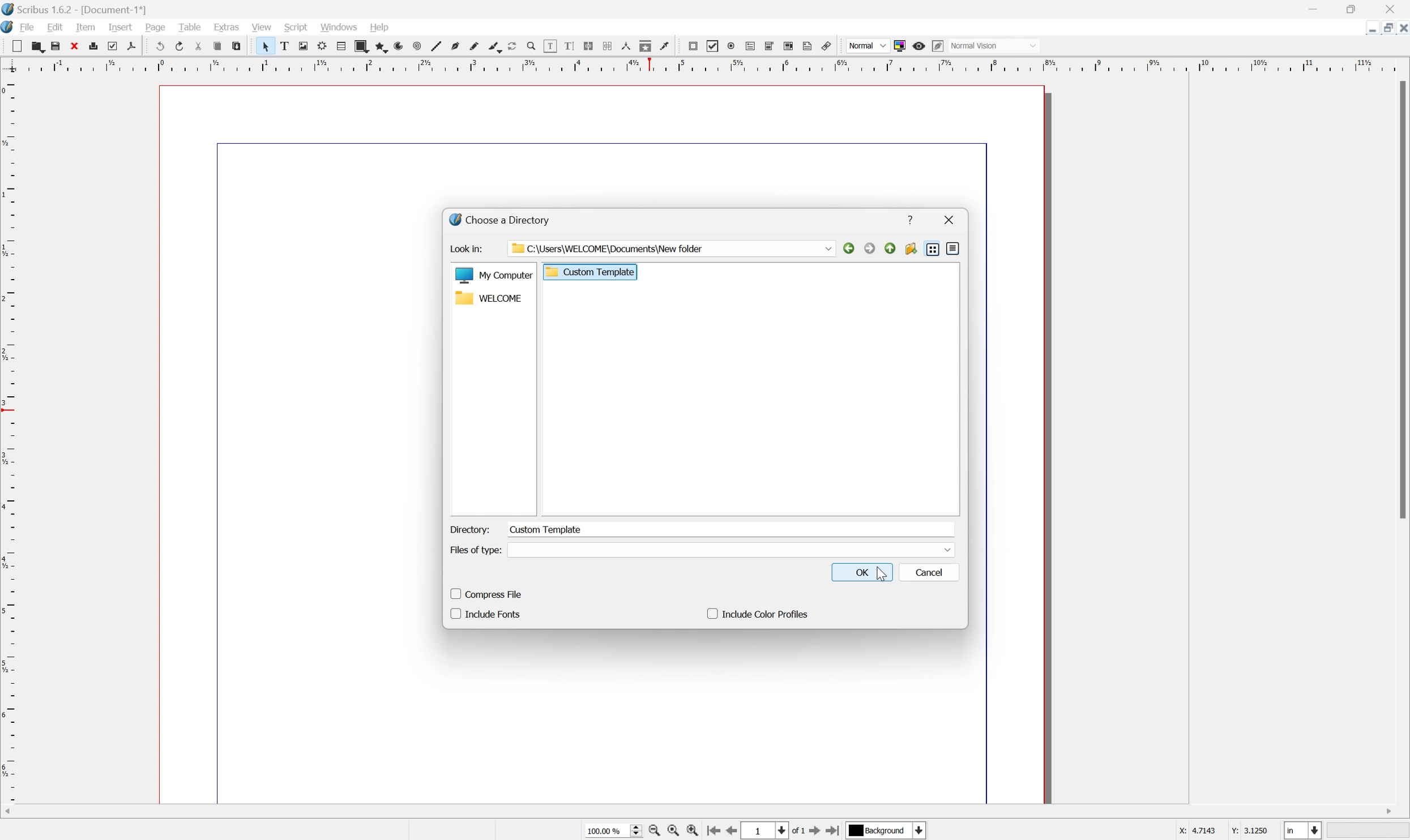  Describe the element at coordinates (768, 46) in the screenshot. I see `PDF combo box` at that location.